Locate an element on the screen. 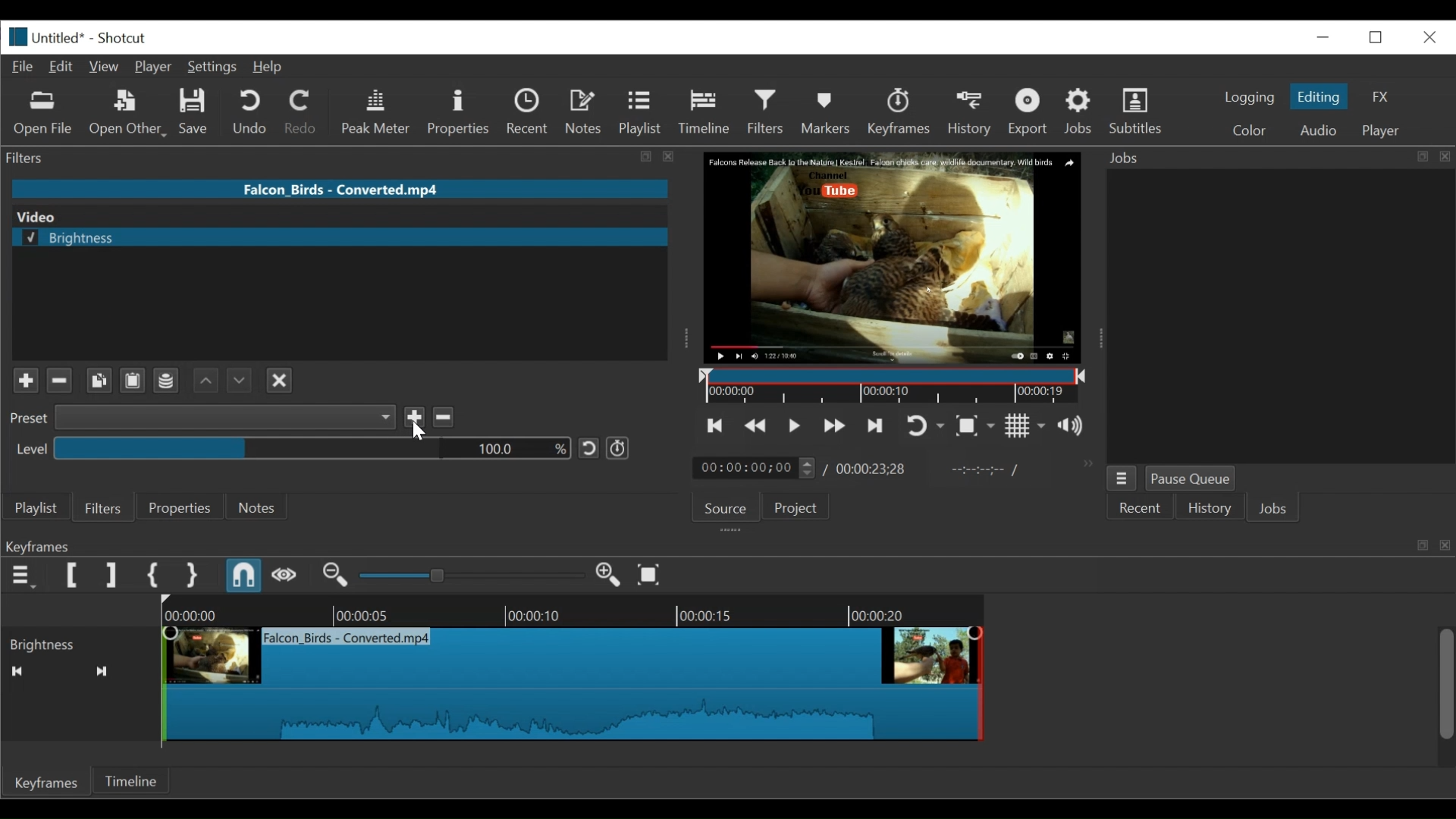 The image size is (1456, 819). Brightness is located at coordinates (79, 643).